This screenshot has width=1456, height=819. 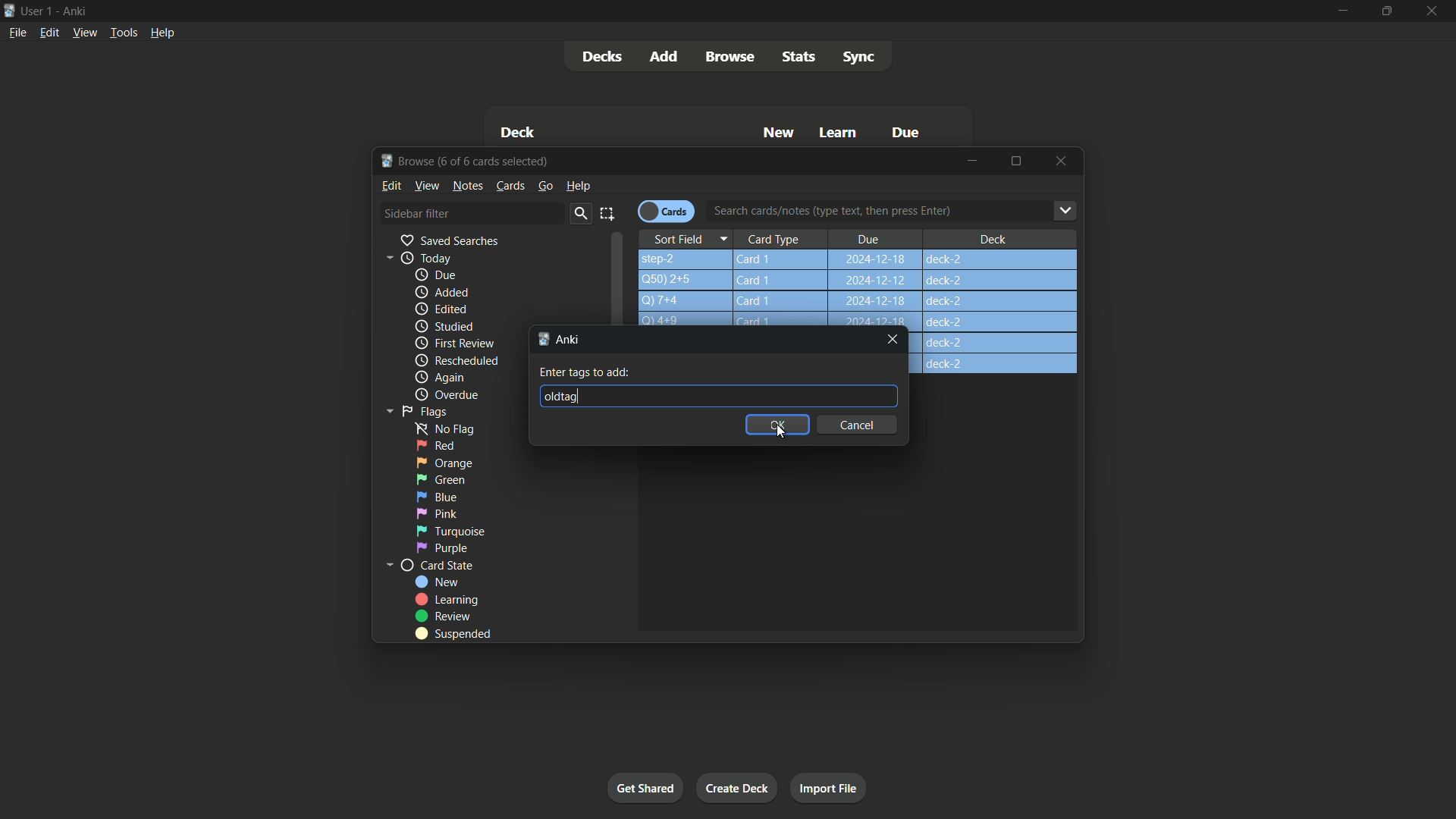 I want to click on Cursor, so click(x=786, y=435).